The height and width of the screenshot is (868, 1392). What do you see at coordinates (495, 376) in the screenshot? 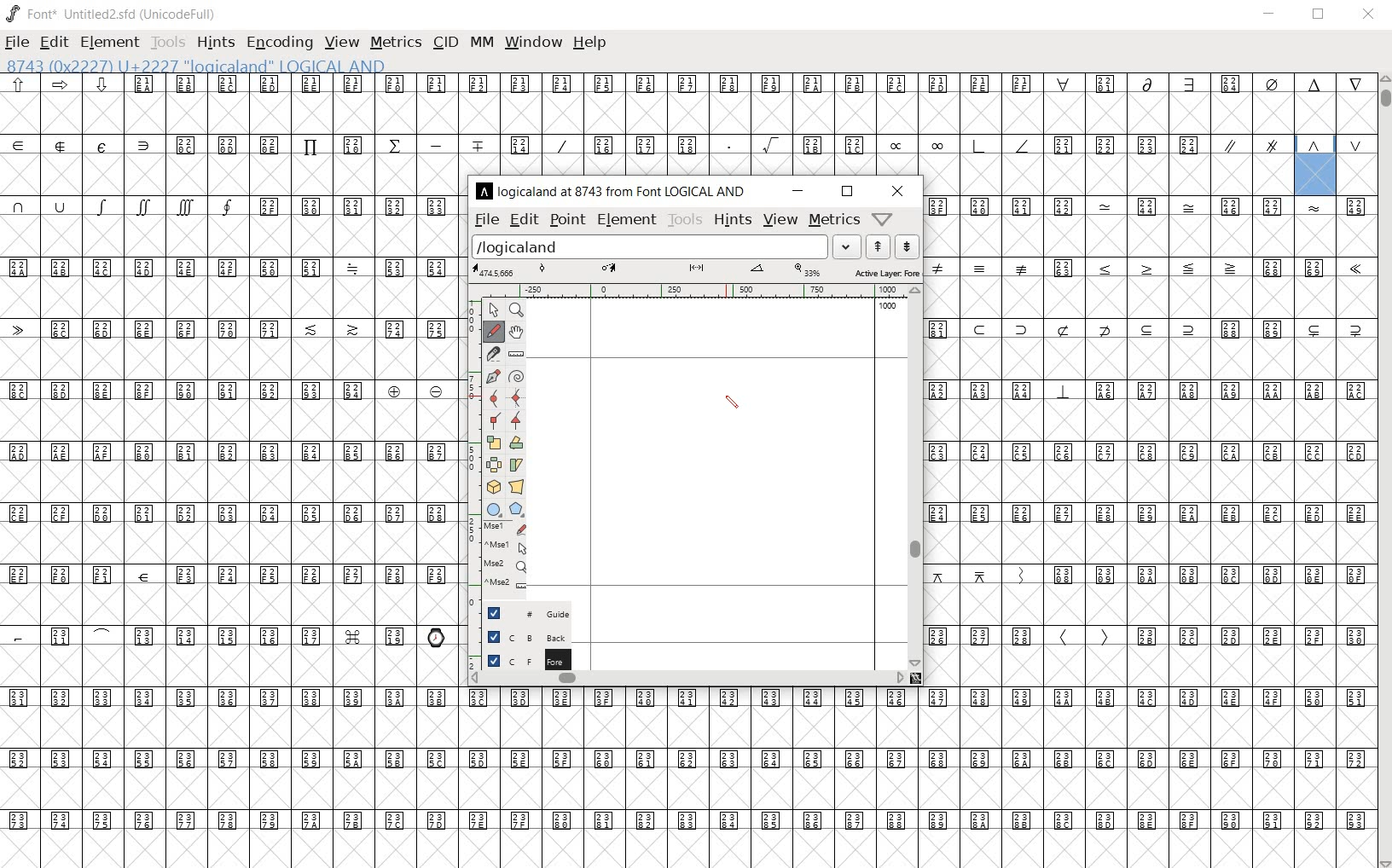
I see `add a point, then drag out its control points` at bounding box center [495, 376].